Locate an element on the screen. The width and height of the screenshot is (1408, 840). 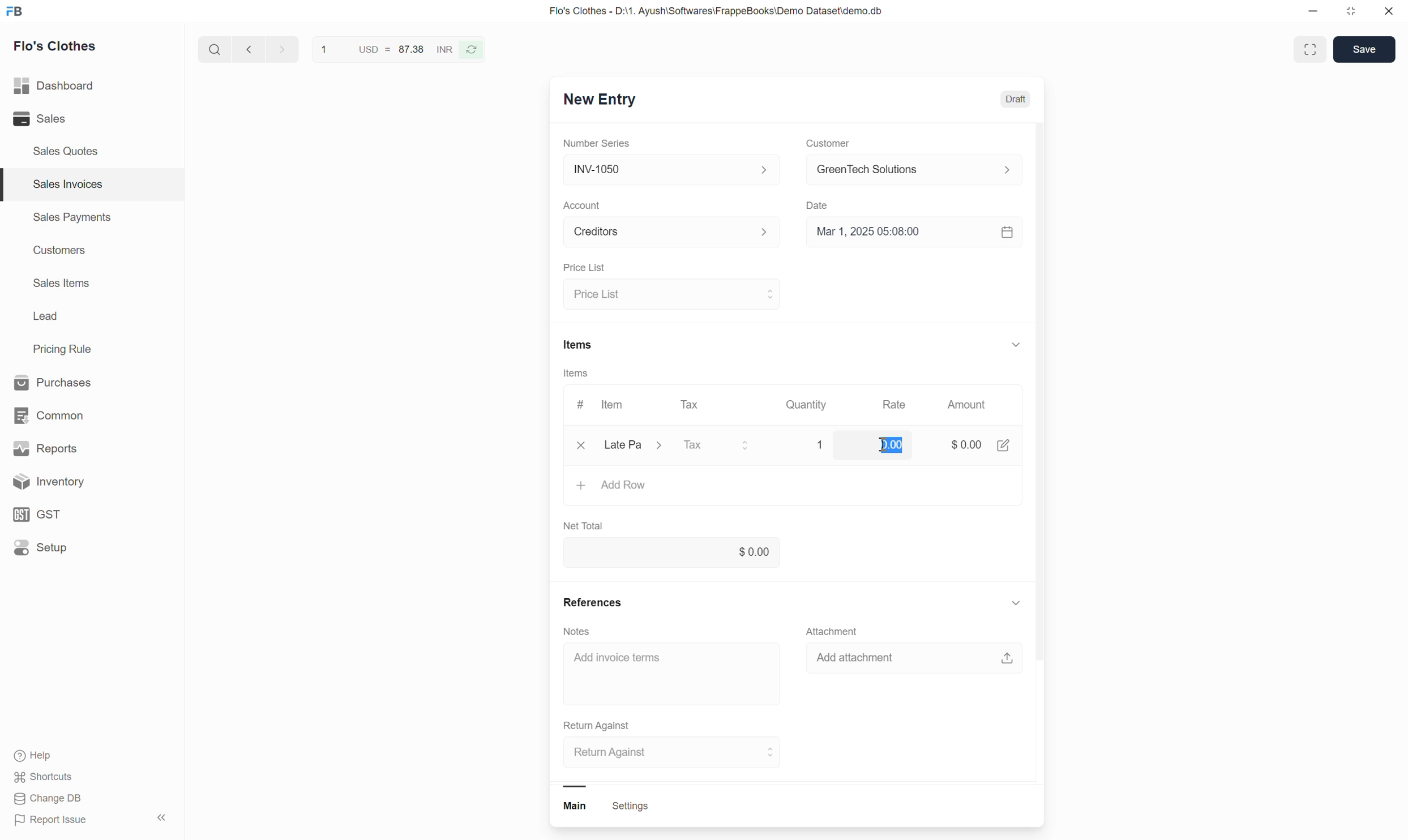
Add invoice term input box is located at coordinates (653, 663).